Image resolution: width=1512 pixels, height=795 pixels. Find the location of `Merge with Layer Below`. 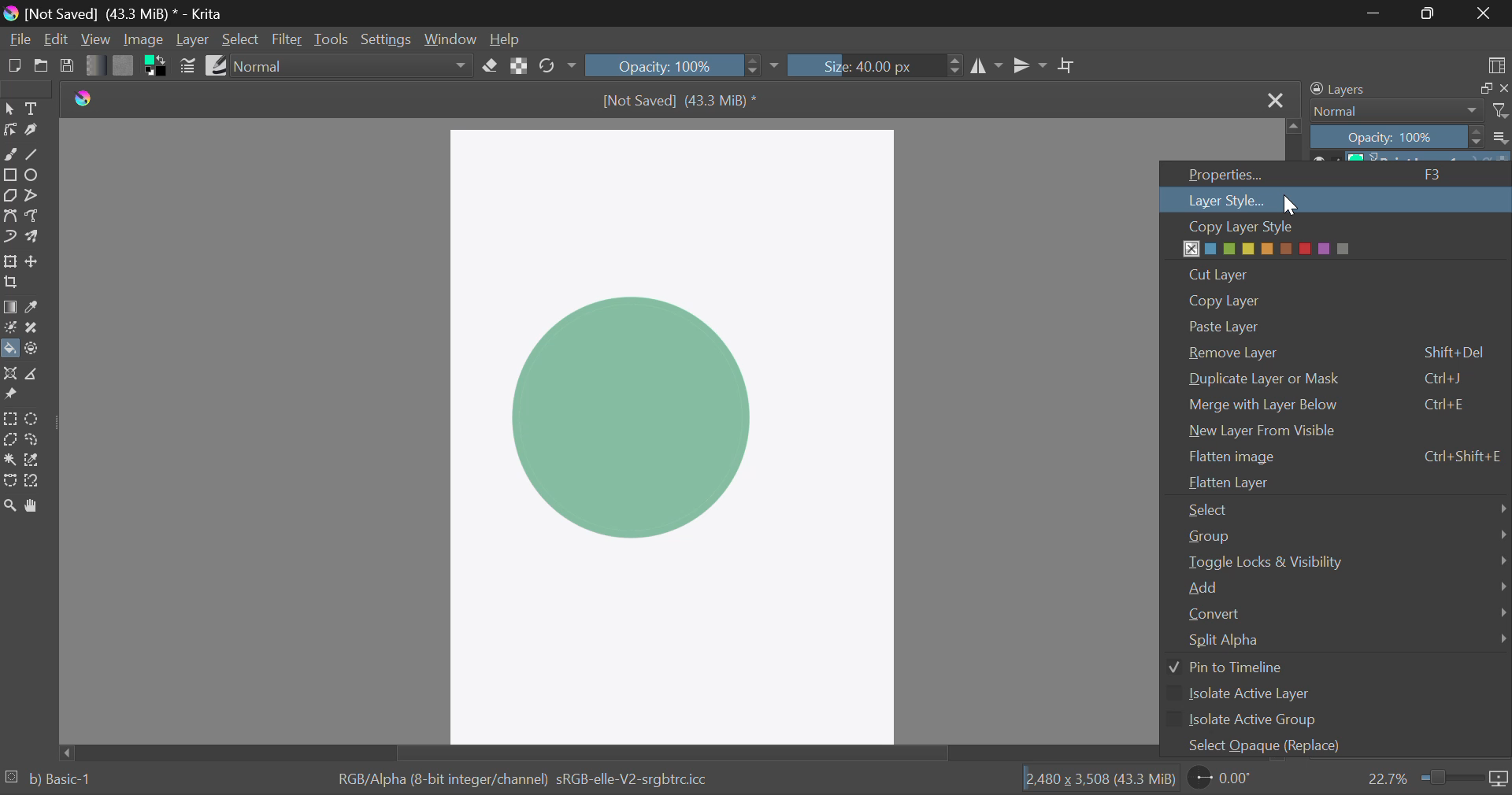

Merge with Layer Below is located at coordinates (1336, 402).